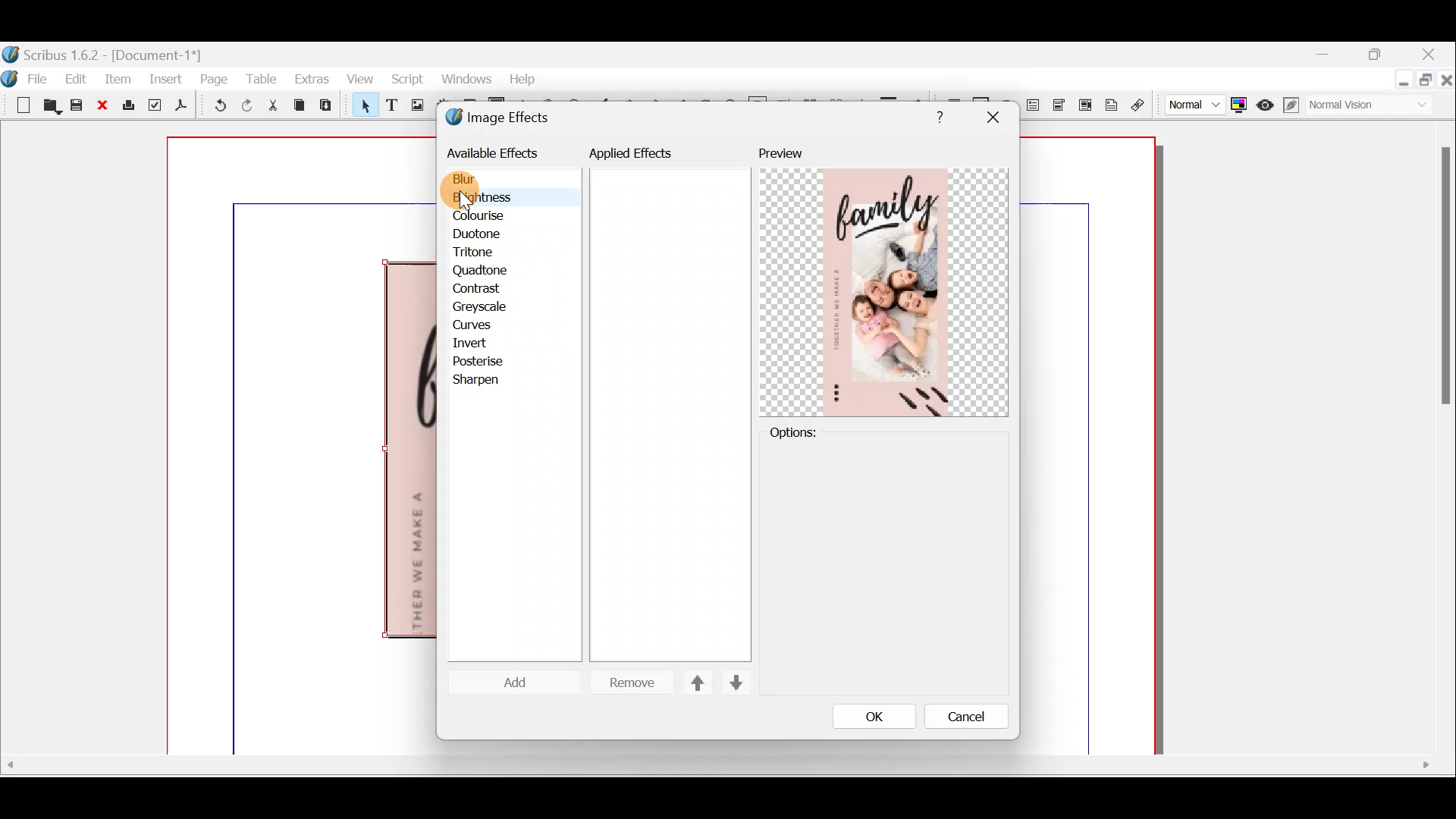  Describe the element at coordinates (956, 720) in the screenshot. I see `Cancel` at that location.